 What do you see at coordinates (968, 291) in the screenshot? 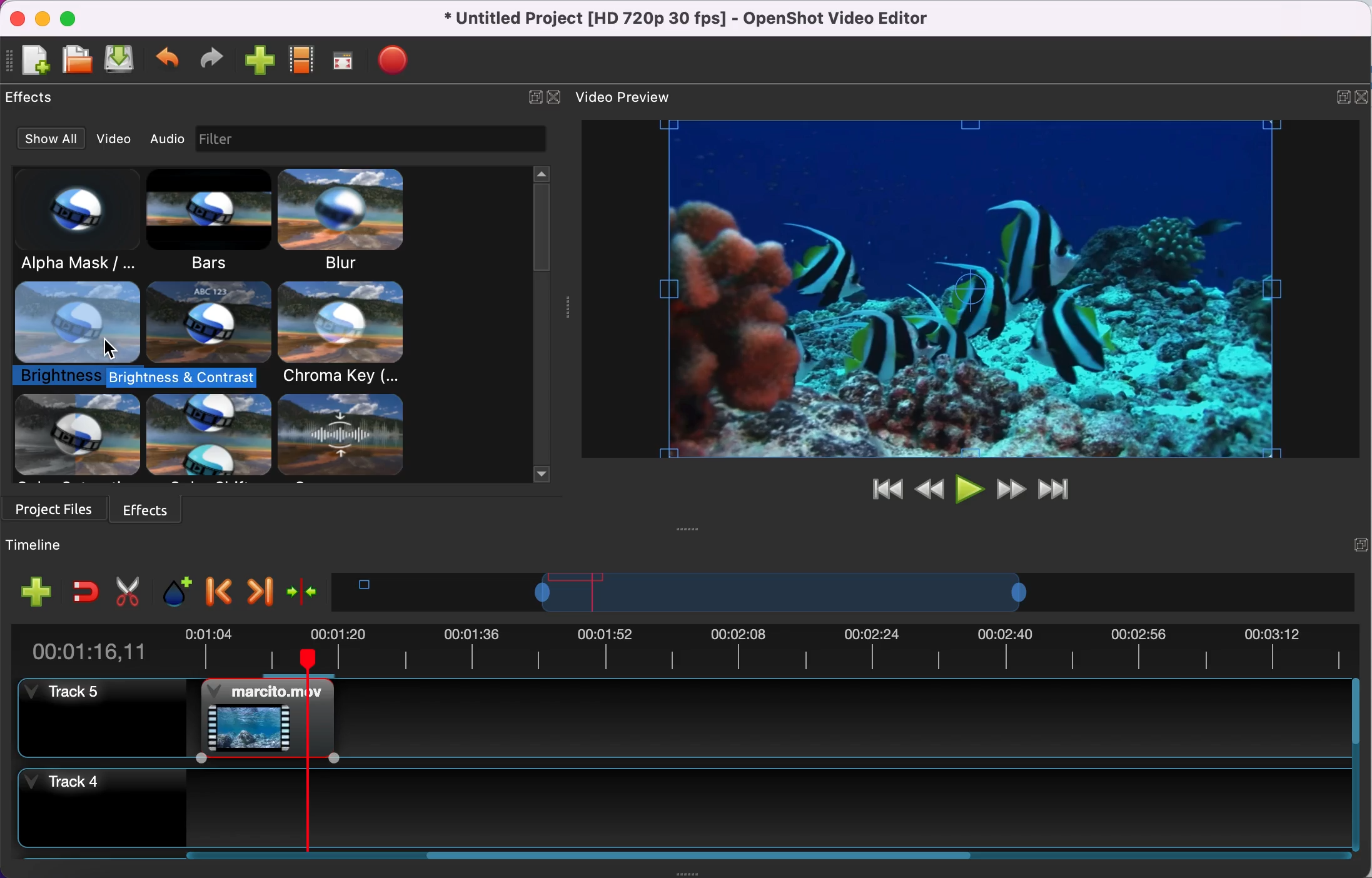
I see `video preview` at bounding box center [968, 291].